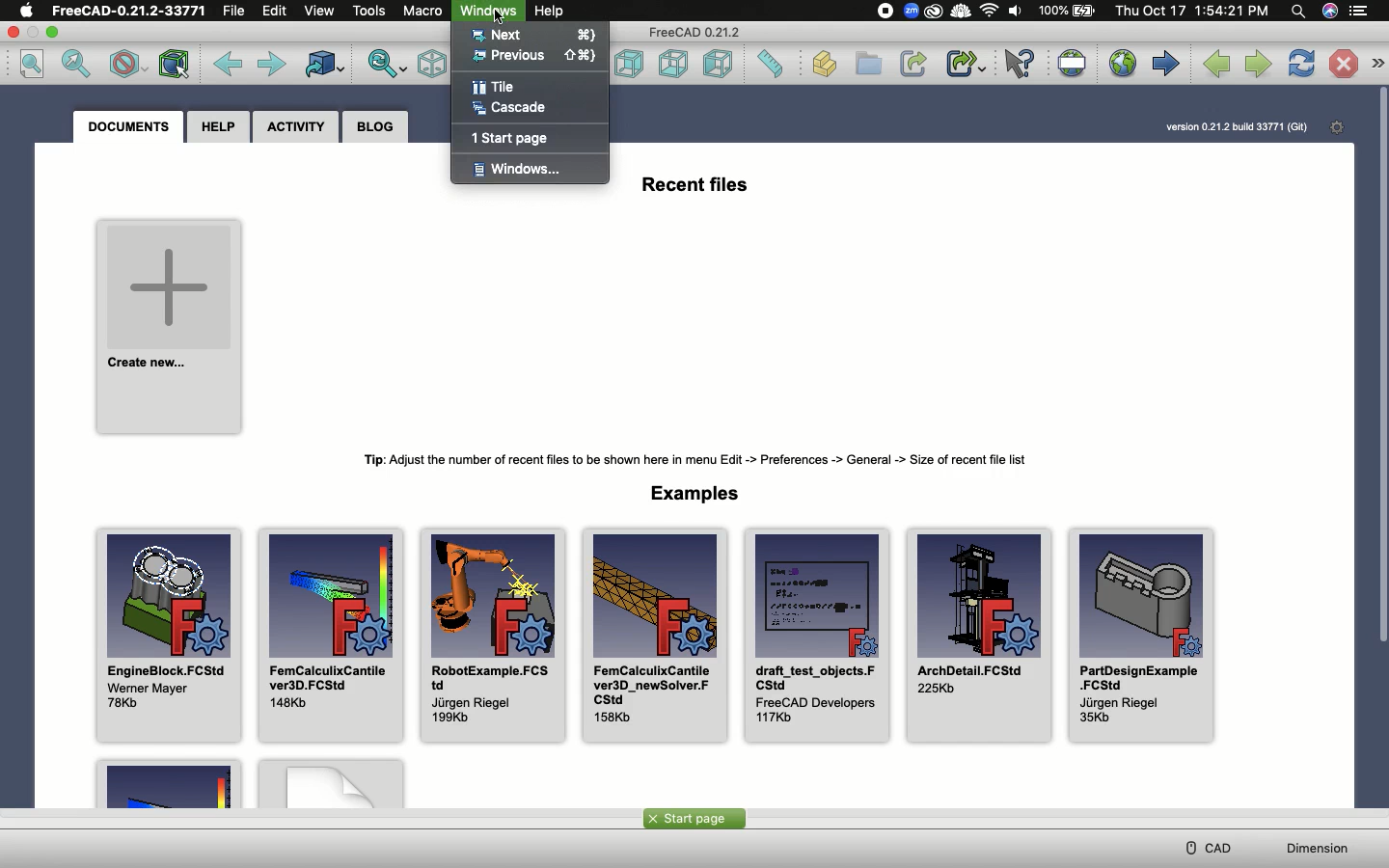  I want to click on Tools, so click(371, 11).